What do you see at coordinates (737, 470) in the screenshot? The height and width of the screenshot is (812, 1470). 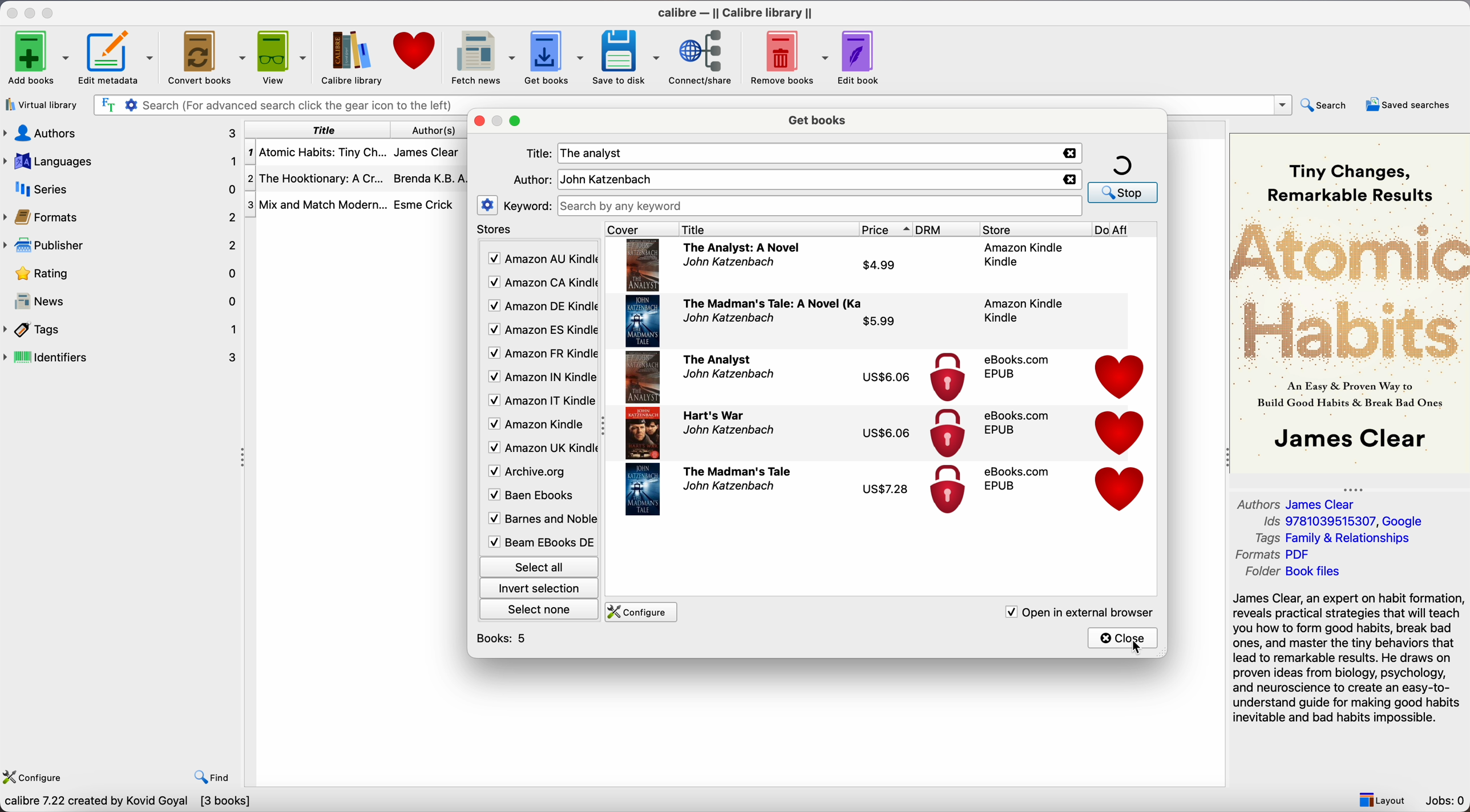 I see `The Madman's Tale` at bounding box center [737, 470].